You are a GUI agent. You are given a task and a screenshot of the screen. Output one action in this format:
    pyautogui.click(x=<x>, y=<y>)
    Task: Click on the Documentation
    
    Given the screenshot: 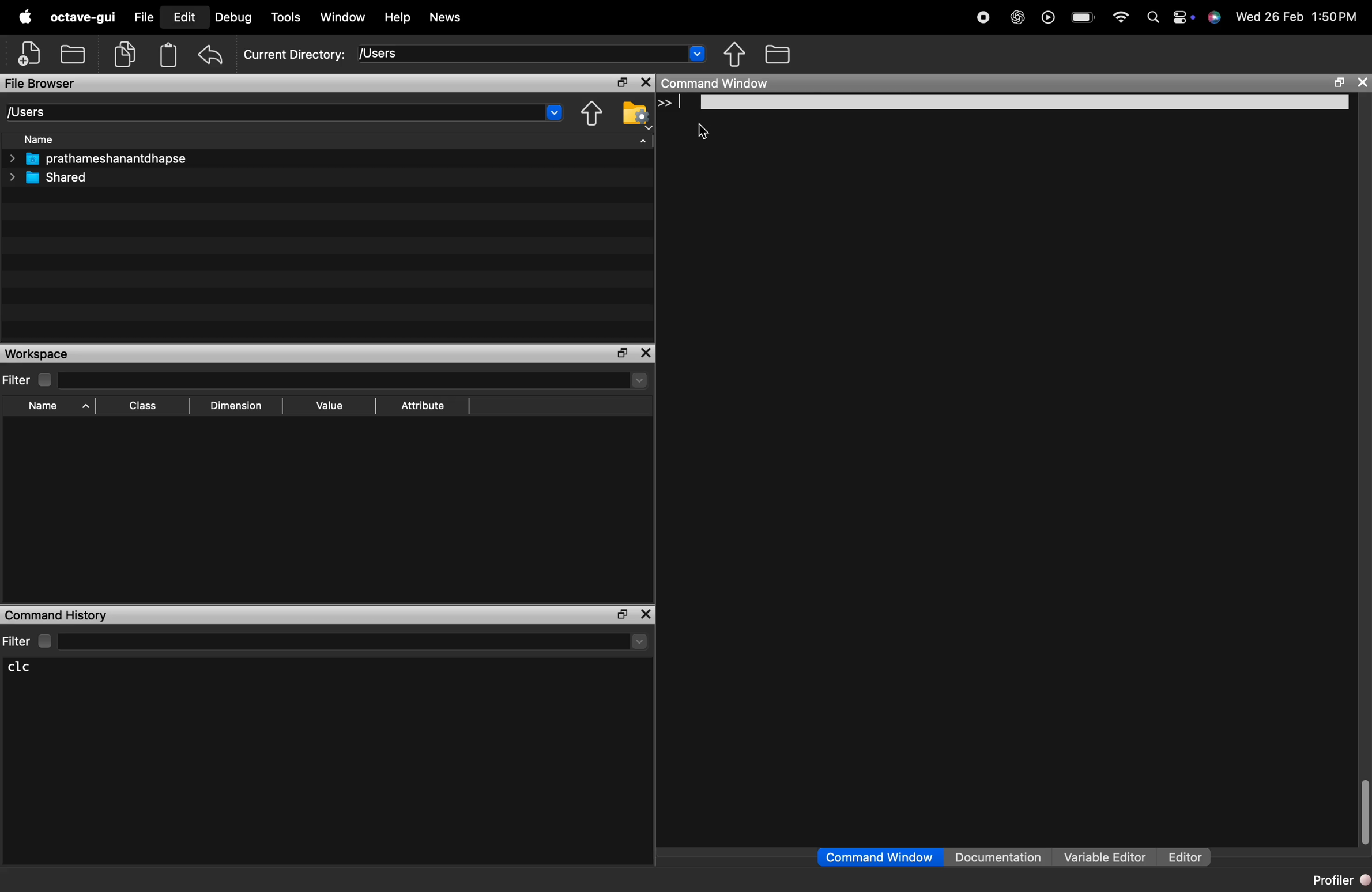 What is the action you would take?
    pyautogui.click(x=1002, y=857)
    